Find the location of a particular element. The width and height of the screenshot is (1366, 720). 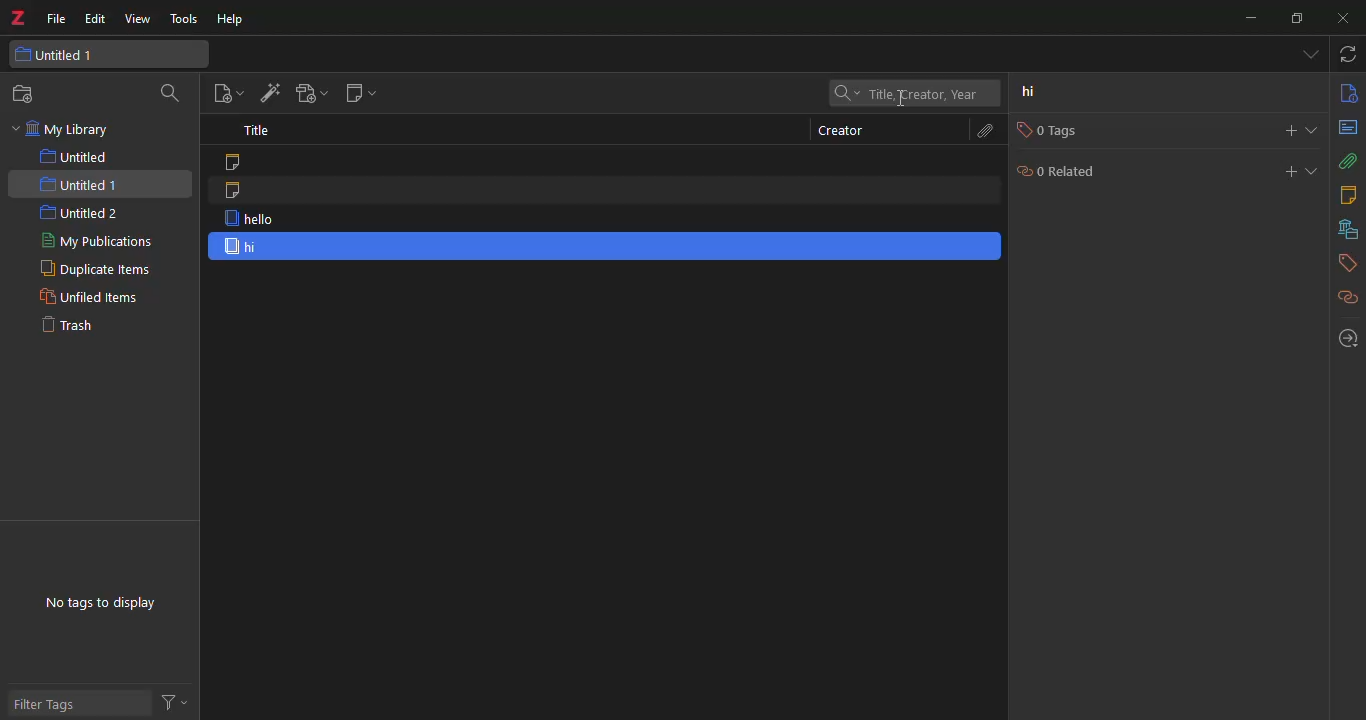

abstract is located at coordinates (1349, 127).